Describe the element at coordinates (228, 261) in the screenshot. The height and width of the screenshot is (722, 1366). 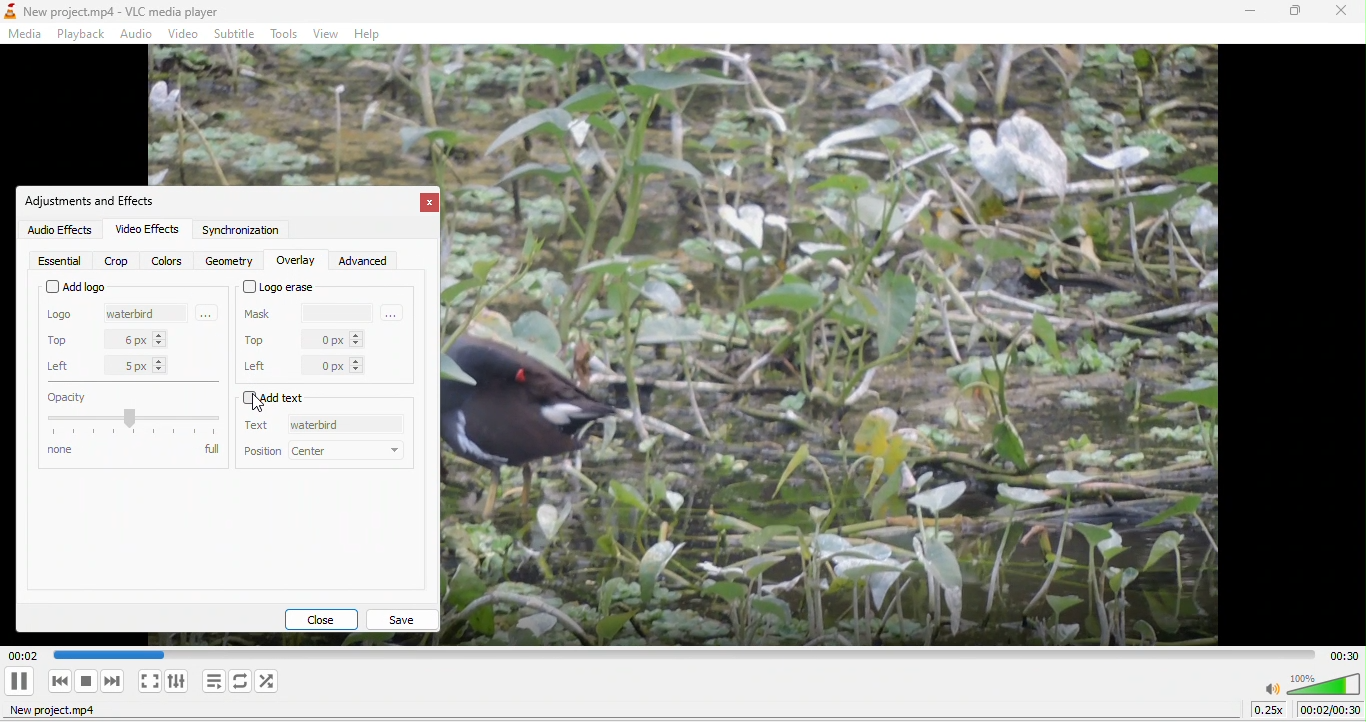
I see `geometry` at that location.